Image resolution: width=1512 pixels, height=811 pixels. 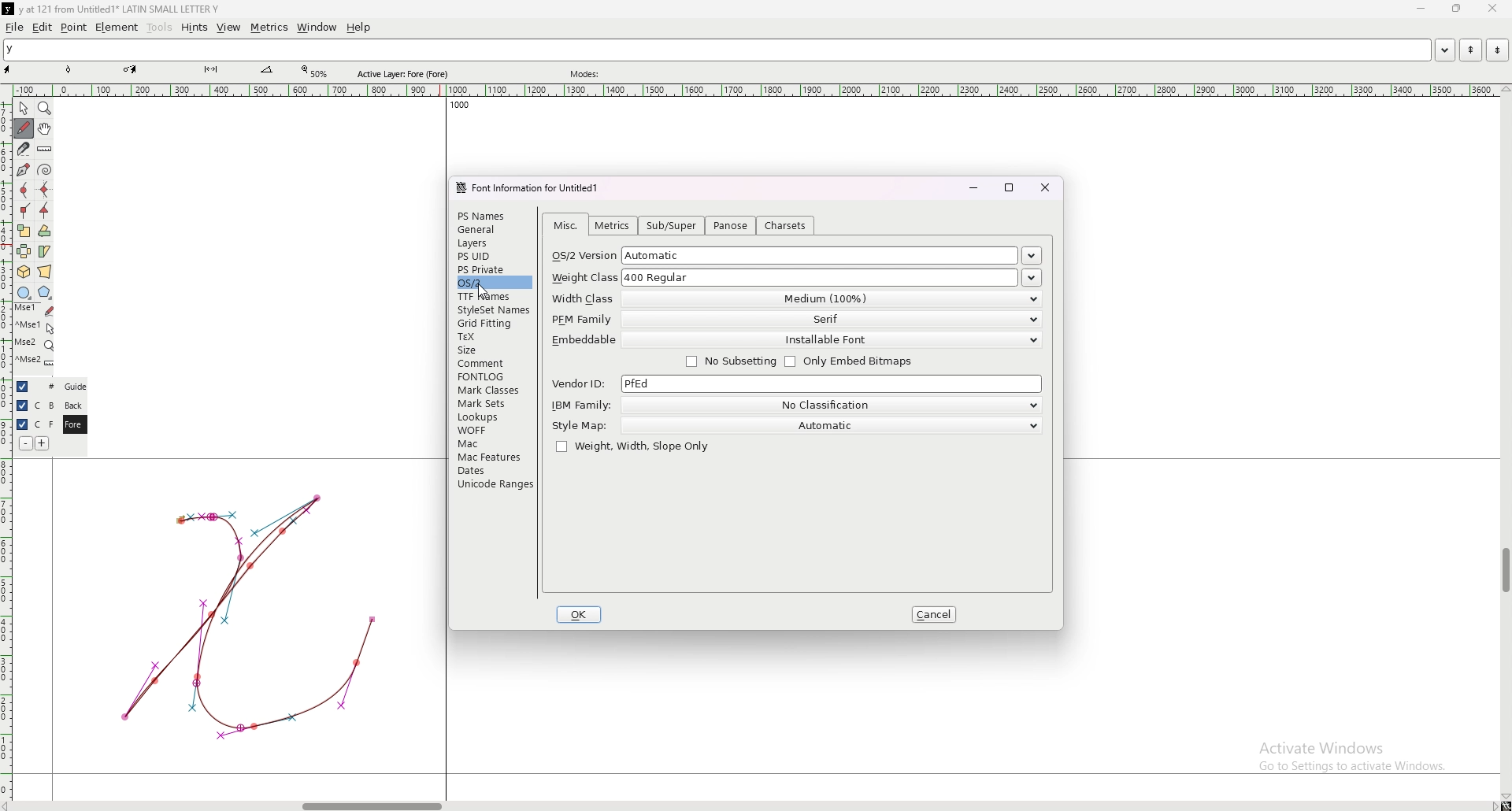 What do you see at coordinates (492, 391) in the screenshot?
I see `mark classes` at bounding box center [492, 391].